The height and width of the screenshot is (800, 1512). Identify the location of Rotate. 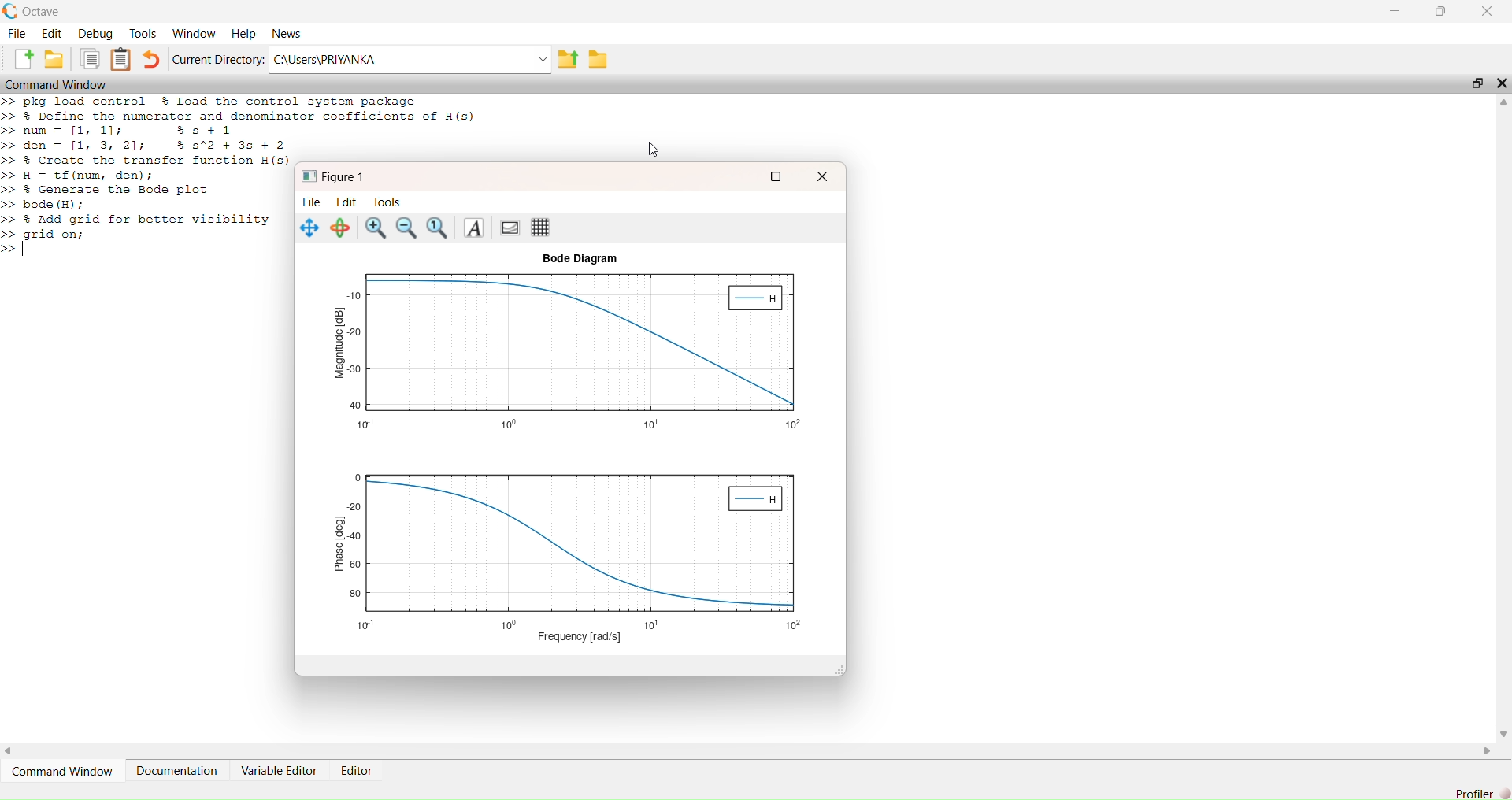
(342, 228).